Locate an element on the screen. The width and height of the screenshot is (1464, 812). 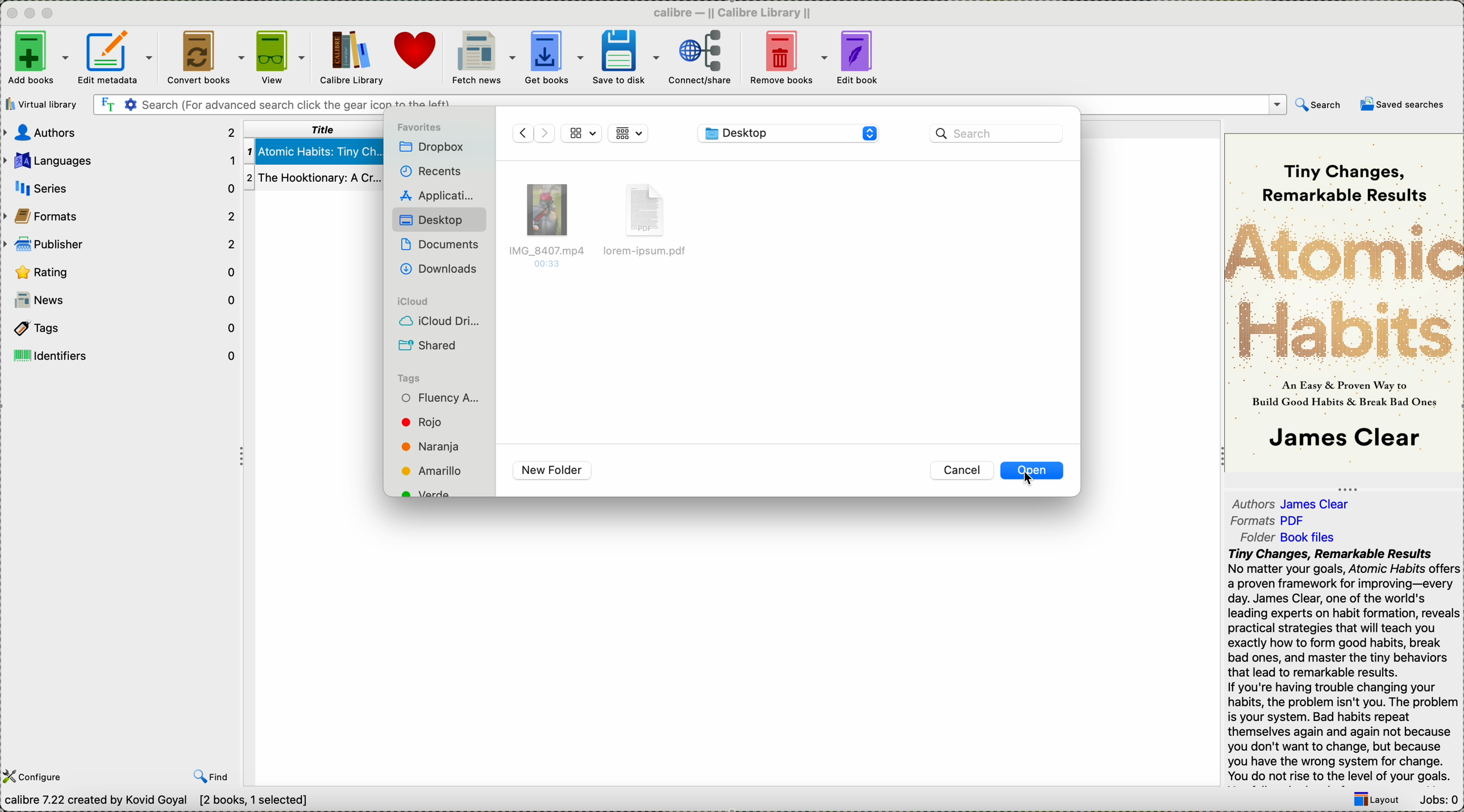
folder is located at coordinates (1291, 538).